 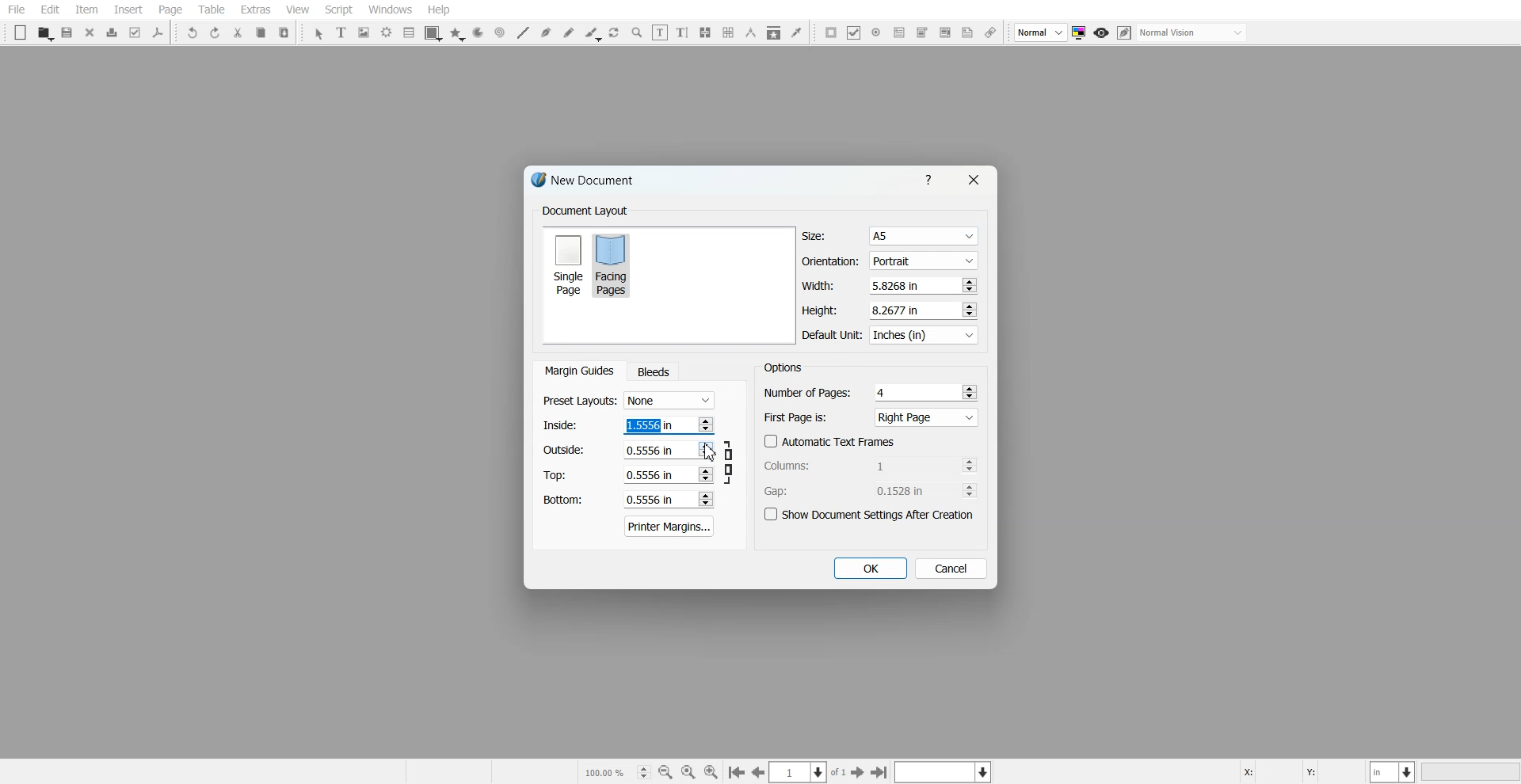 I want to click on Text, so click(x=585, y=211).